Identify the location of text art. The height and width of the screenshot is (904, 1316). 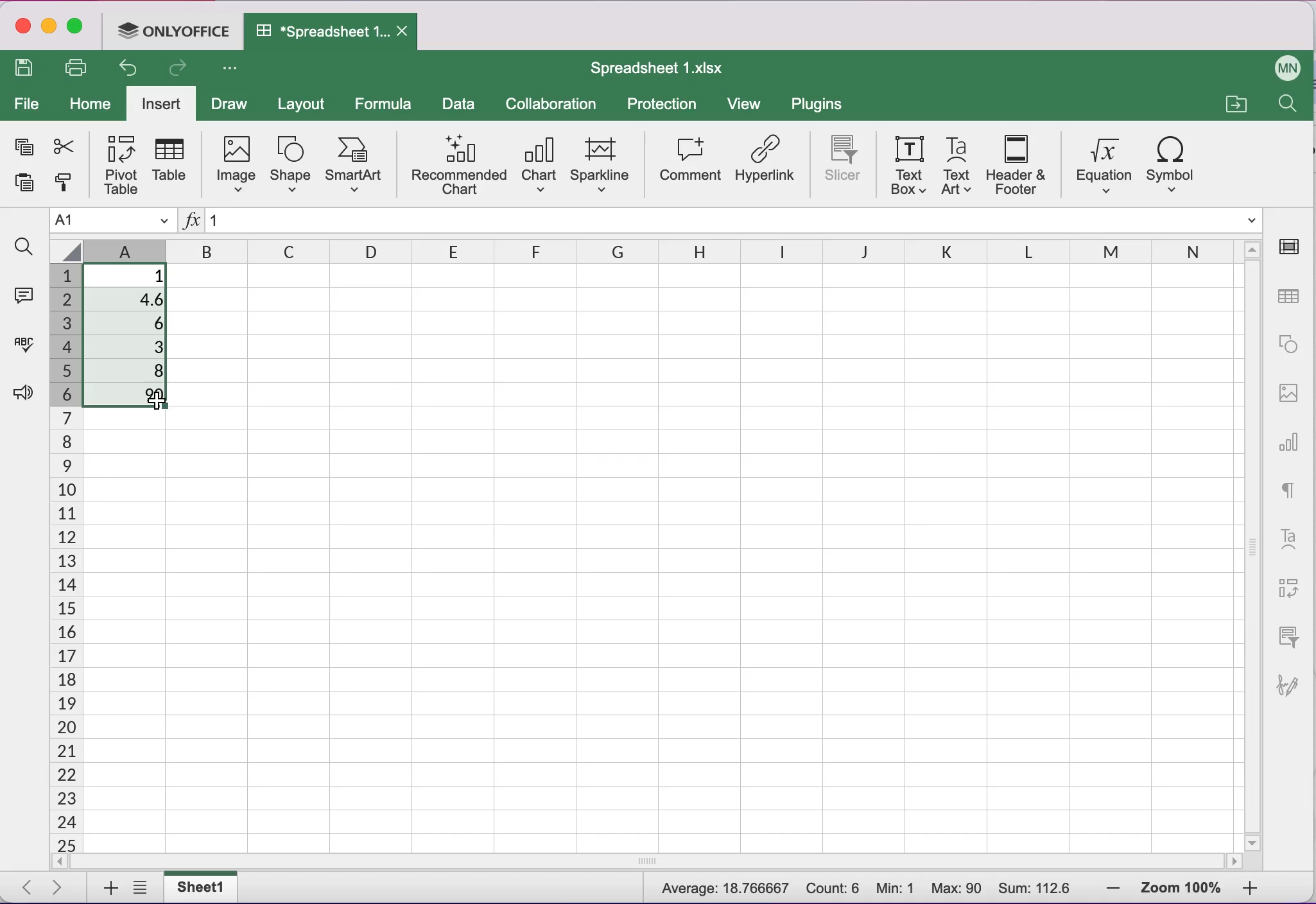
(1288, 542).